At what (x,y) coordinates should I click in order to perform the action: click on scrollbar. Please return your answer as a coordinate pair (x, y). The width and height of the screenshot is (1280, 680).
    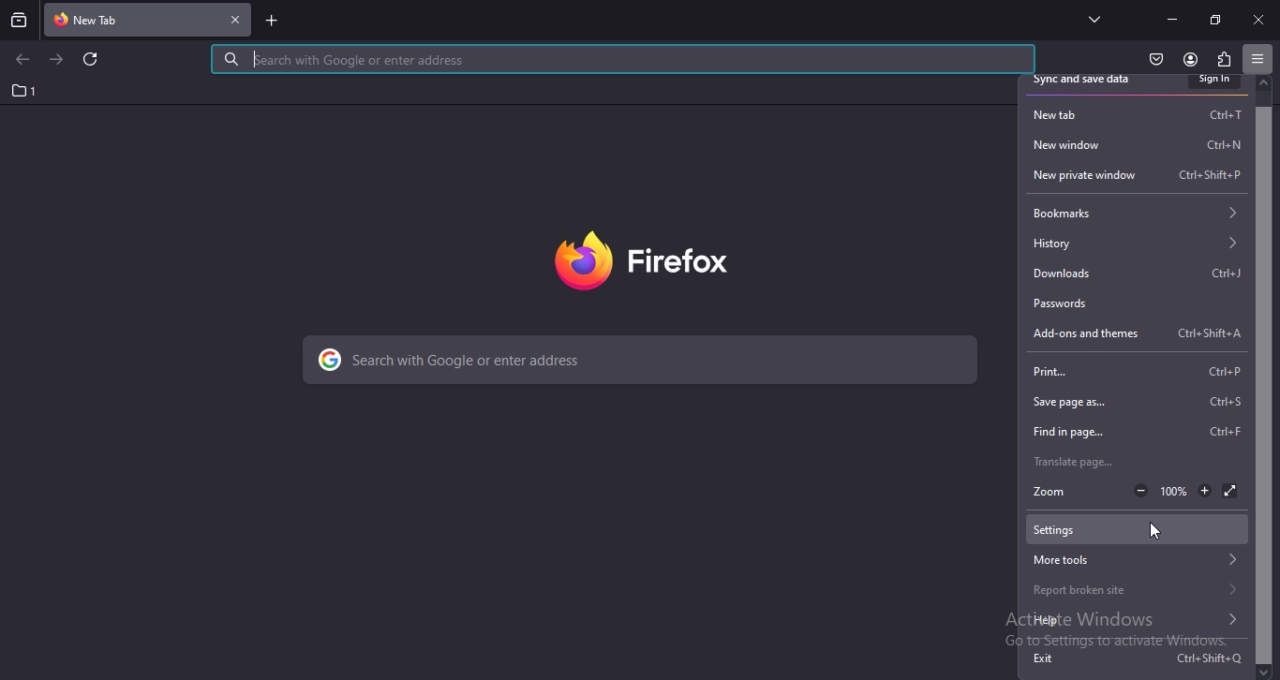
    Looking at the image, I should click on (1268, 380).